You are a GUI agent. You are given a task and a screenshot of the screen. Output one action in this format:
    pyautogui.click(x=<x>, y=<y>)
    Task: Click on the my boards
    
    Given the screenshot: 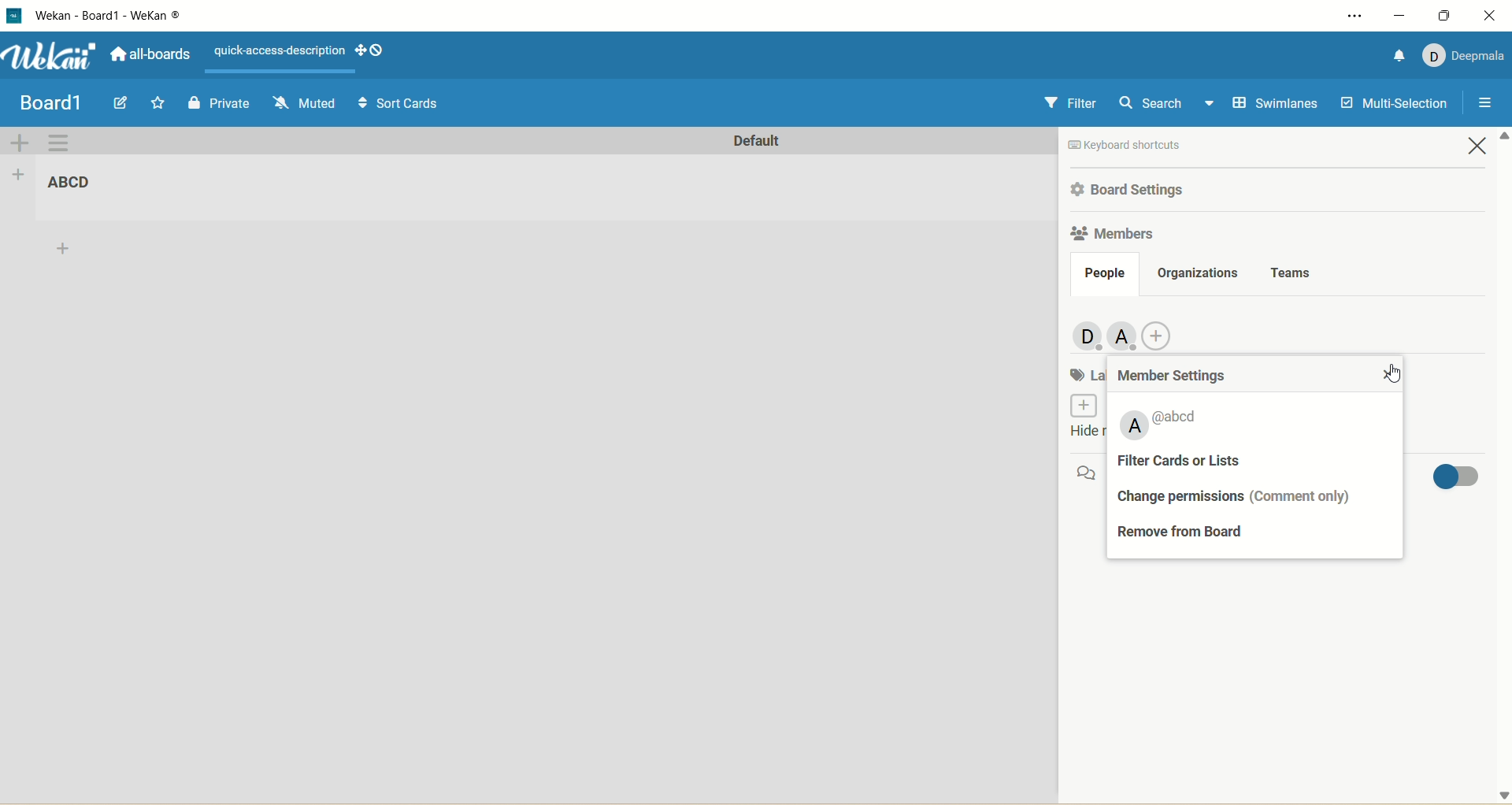 What is the action you would take?
    pyautogui.click(x=68, y=100)
    